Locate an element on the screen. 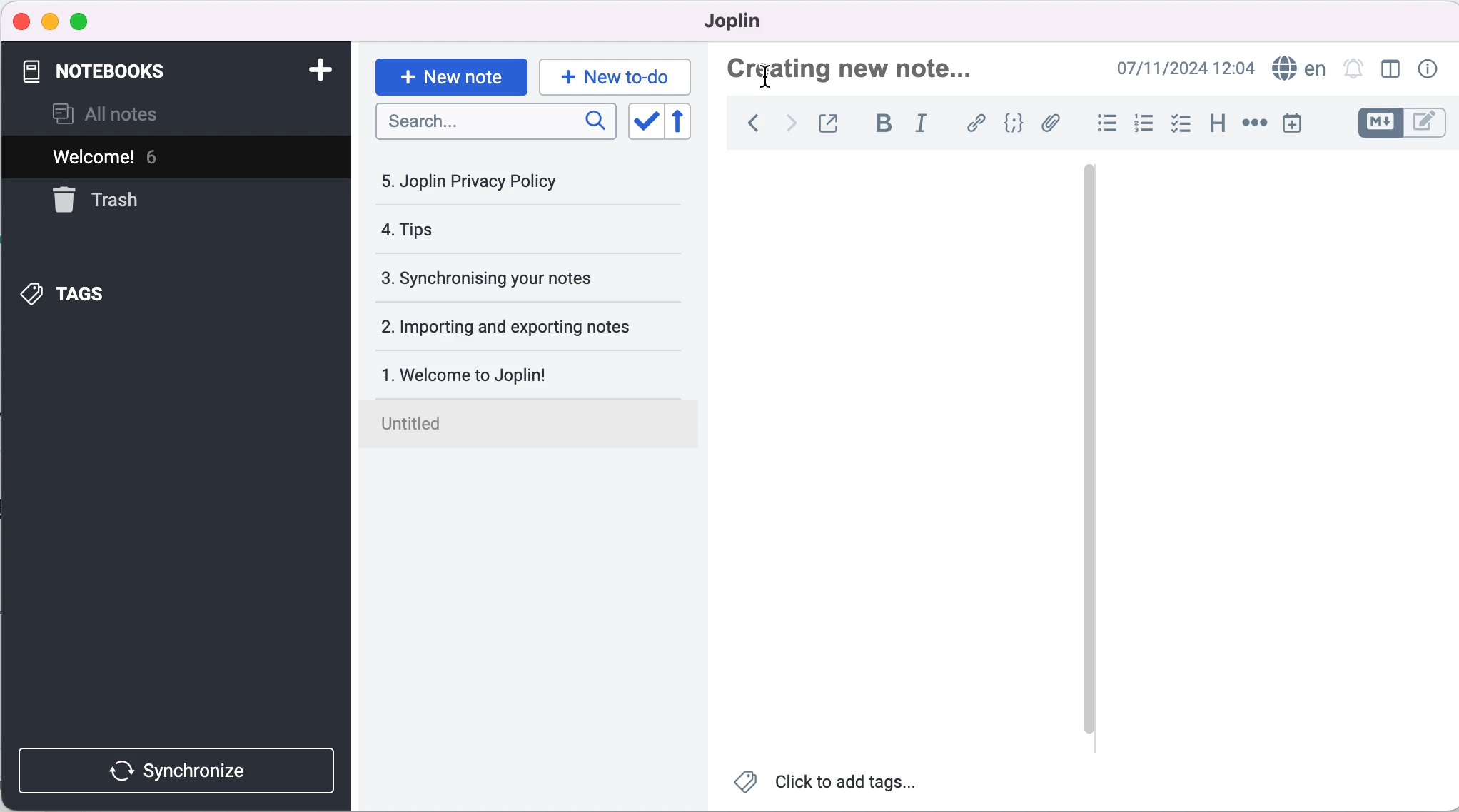  blank canvas note 1 is located at coordinates (893, 459).